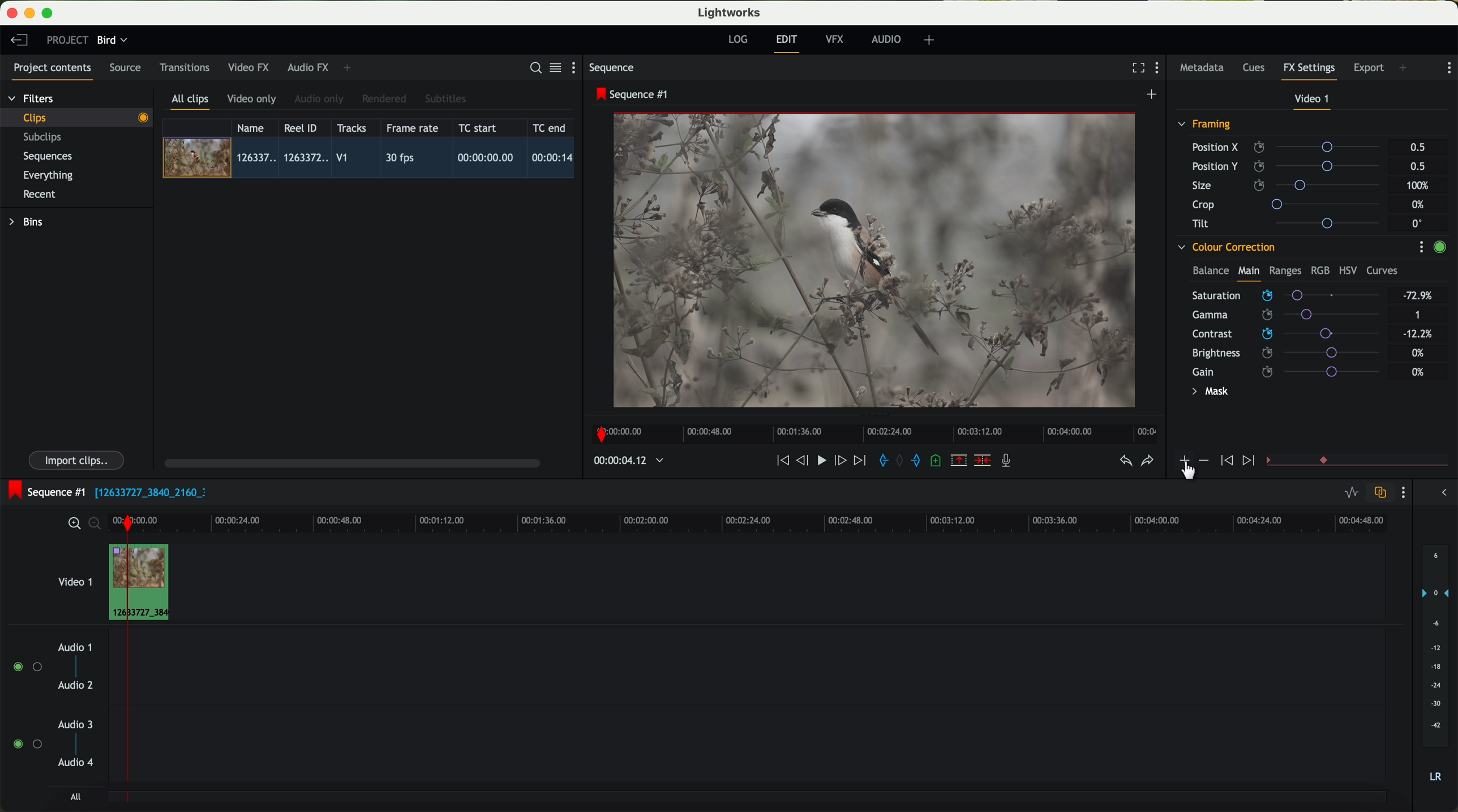 Image resolution: width=1458 pixels, height=812 pixels. Describe the element at coordinates (32, 98) in the screenshot. I see `filters` at that location.